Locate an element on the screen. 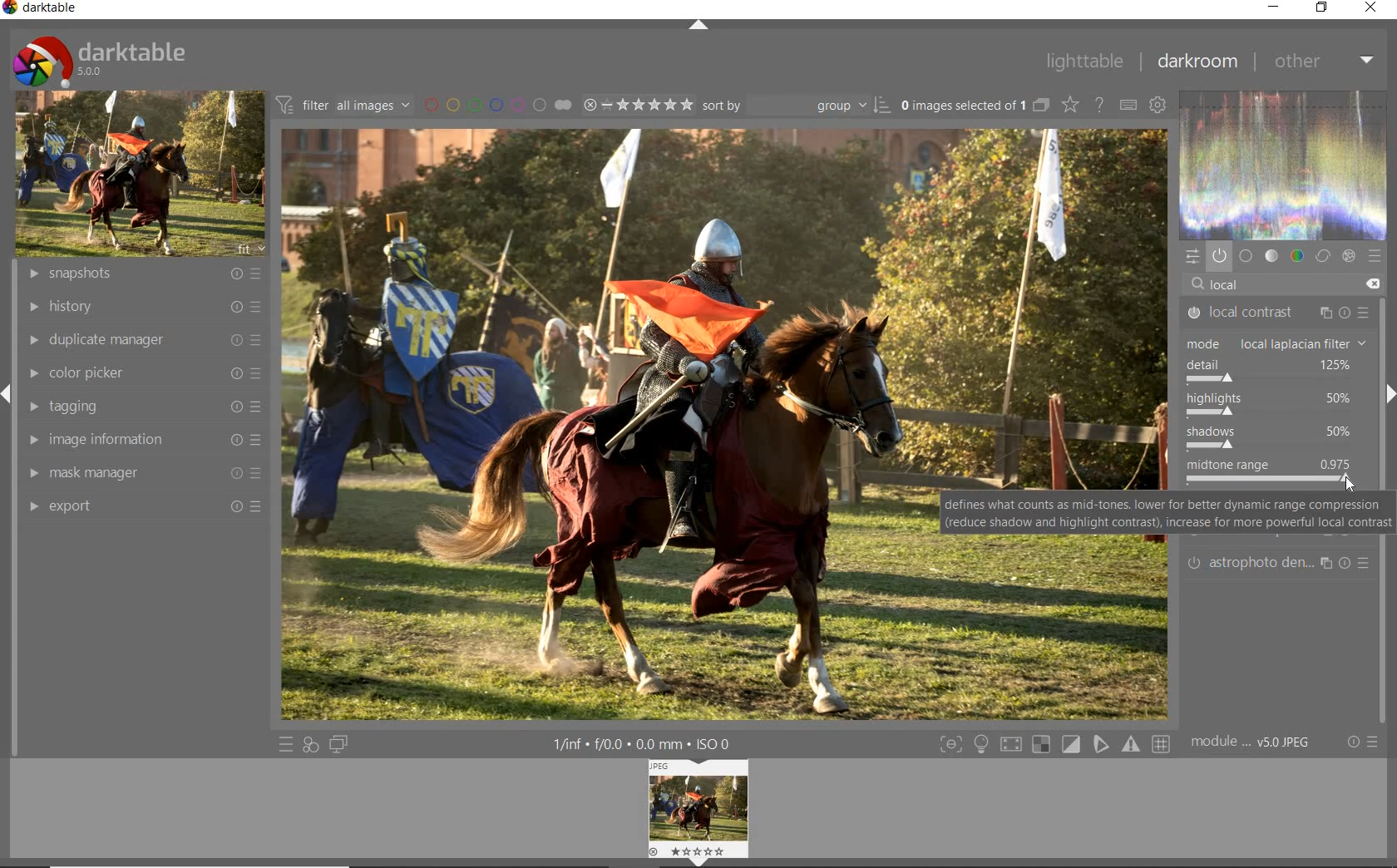 The width and height of the screenshot is (1397, 868). lighttable is located at coordinates (1086, 61).